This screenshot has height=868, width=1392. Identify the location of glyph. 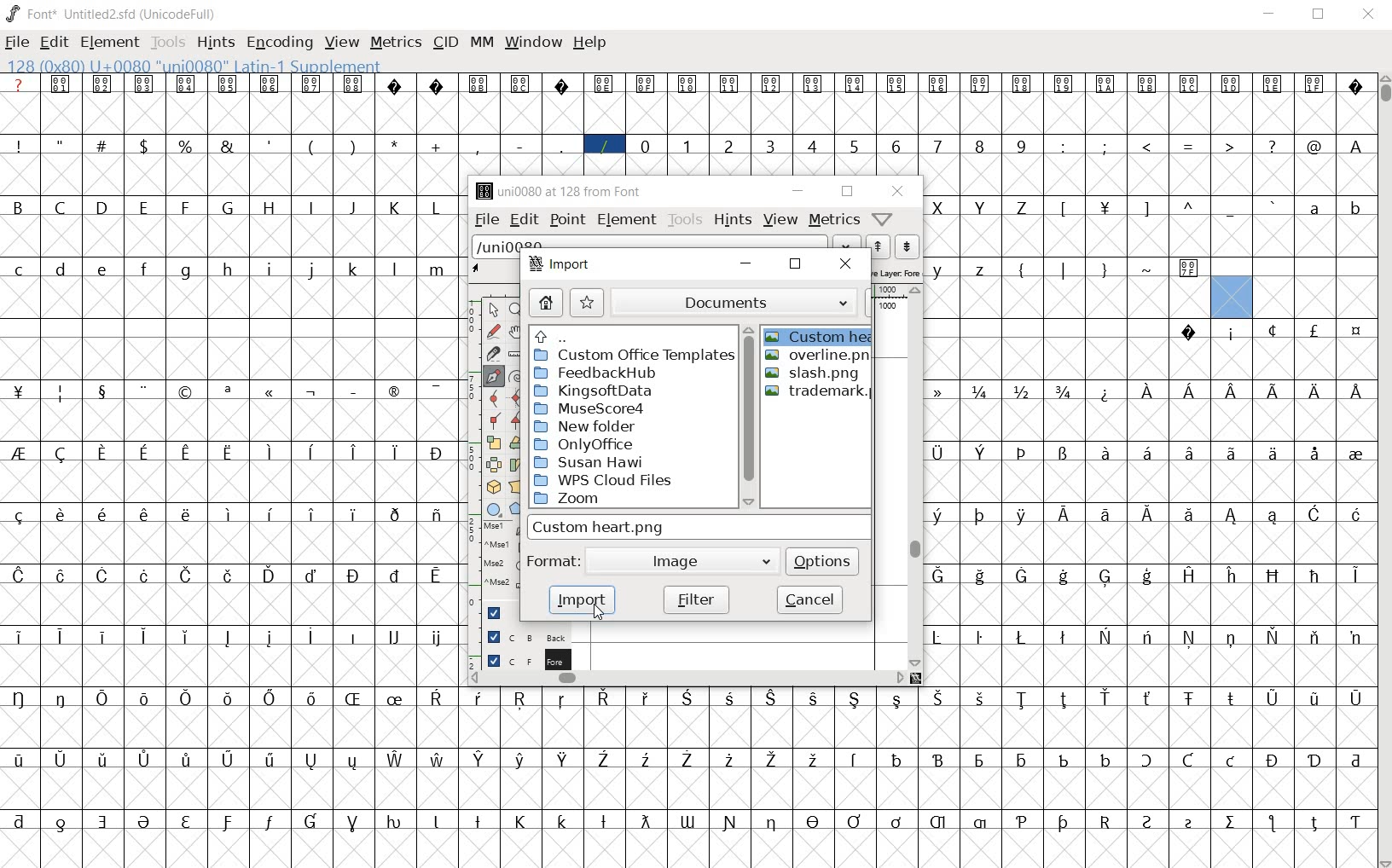
(61, 514).